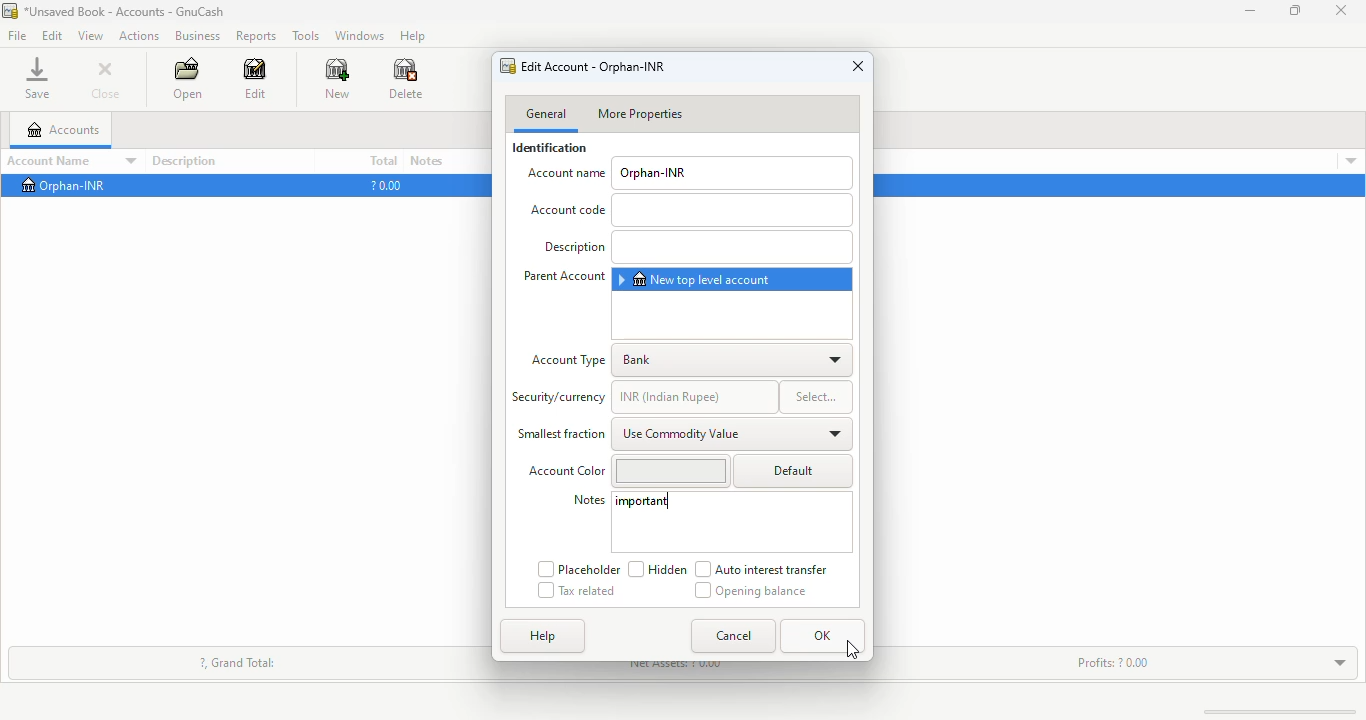  Describe the element at coordinates (593, 66) in the screenshot. I see `edit account - orphan-INR` at that location.